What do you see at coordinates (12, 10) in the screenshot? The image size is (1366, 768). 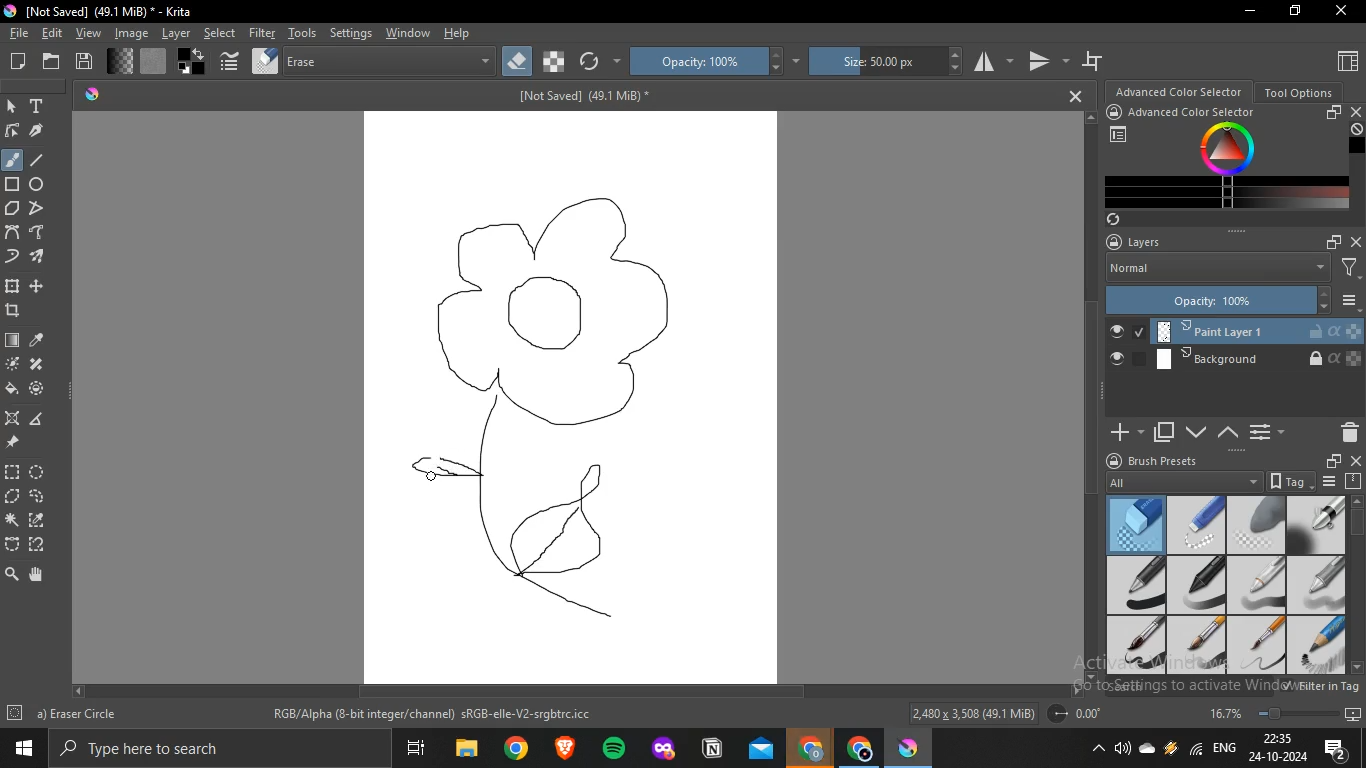 I see `logo` at bounding box center [12, 10].